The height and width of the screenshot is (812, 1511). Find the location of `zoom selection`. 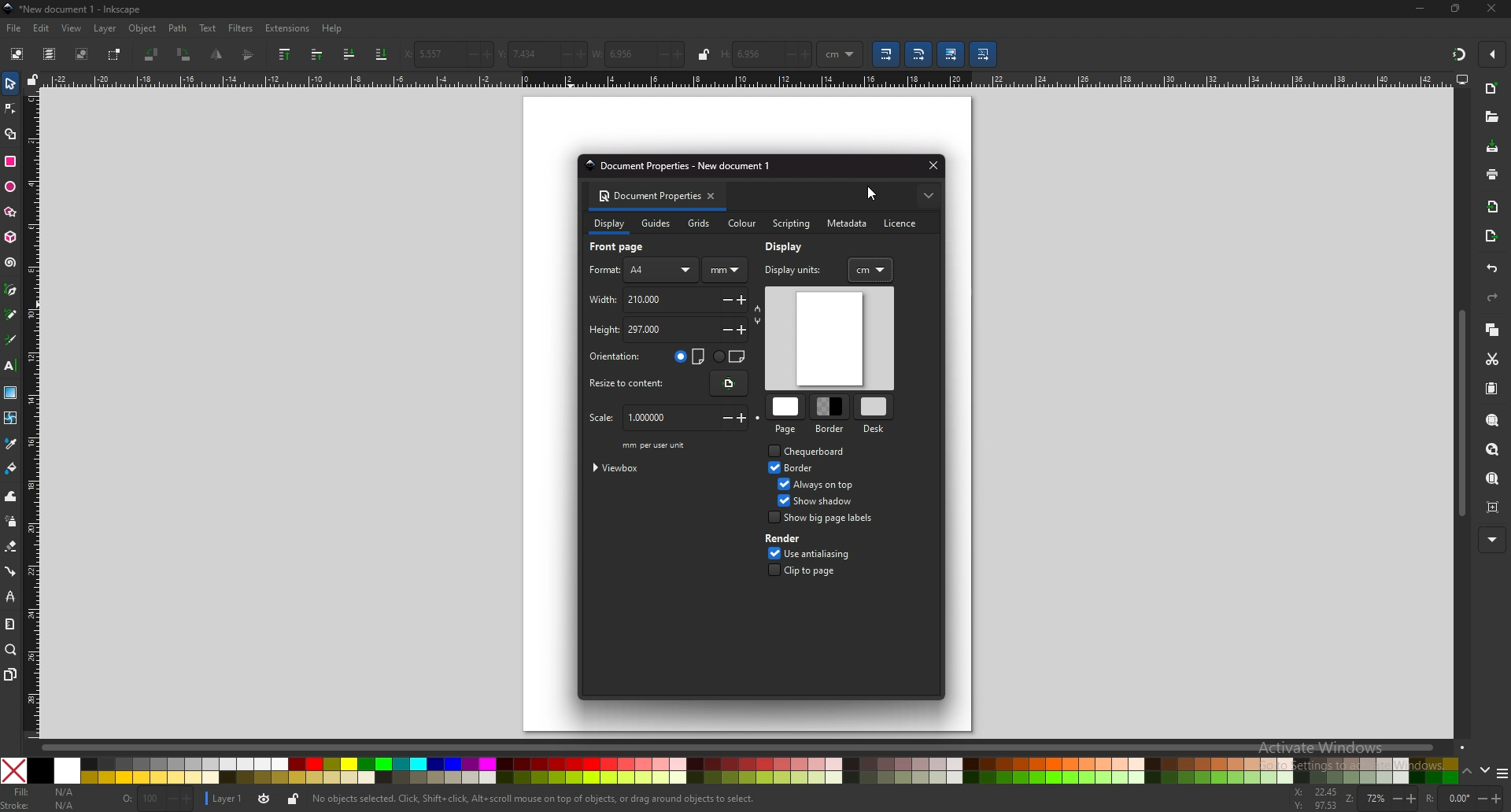

zoom selection is located at coordinates (1492, 420).